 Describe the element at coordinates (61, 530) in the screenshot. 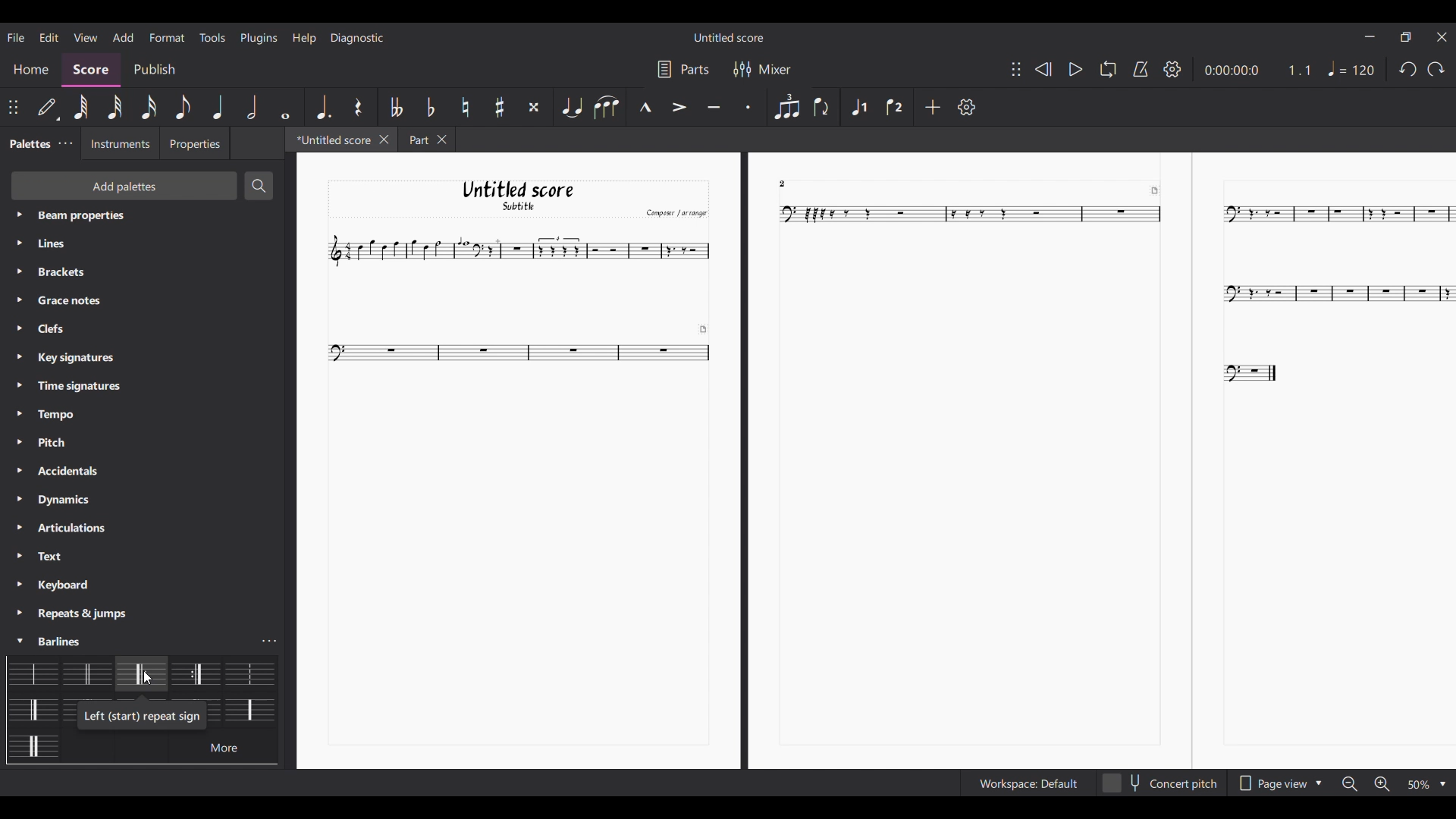

I see `Palette settings` at that location.